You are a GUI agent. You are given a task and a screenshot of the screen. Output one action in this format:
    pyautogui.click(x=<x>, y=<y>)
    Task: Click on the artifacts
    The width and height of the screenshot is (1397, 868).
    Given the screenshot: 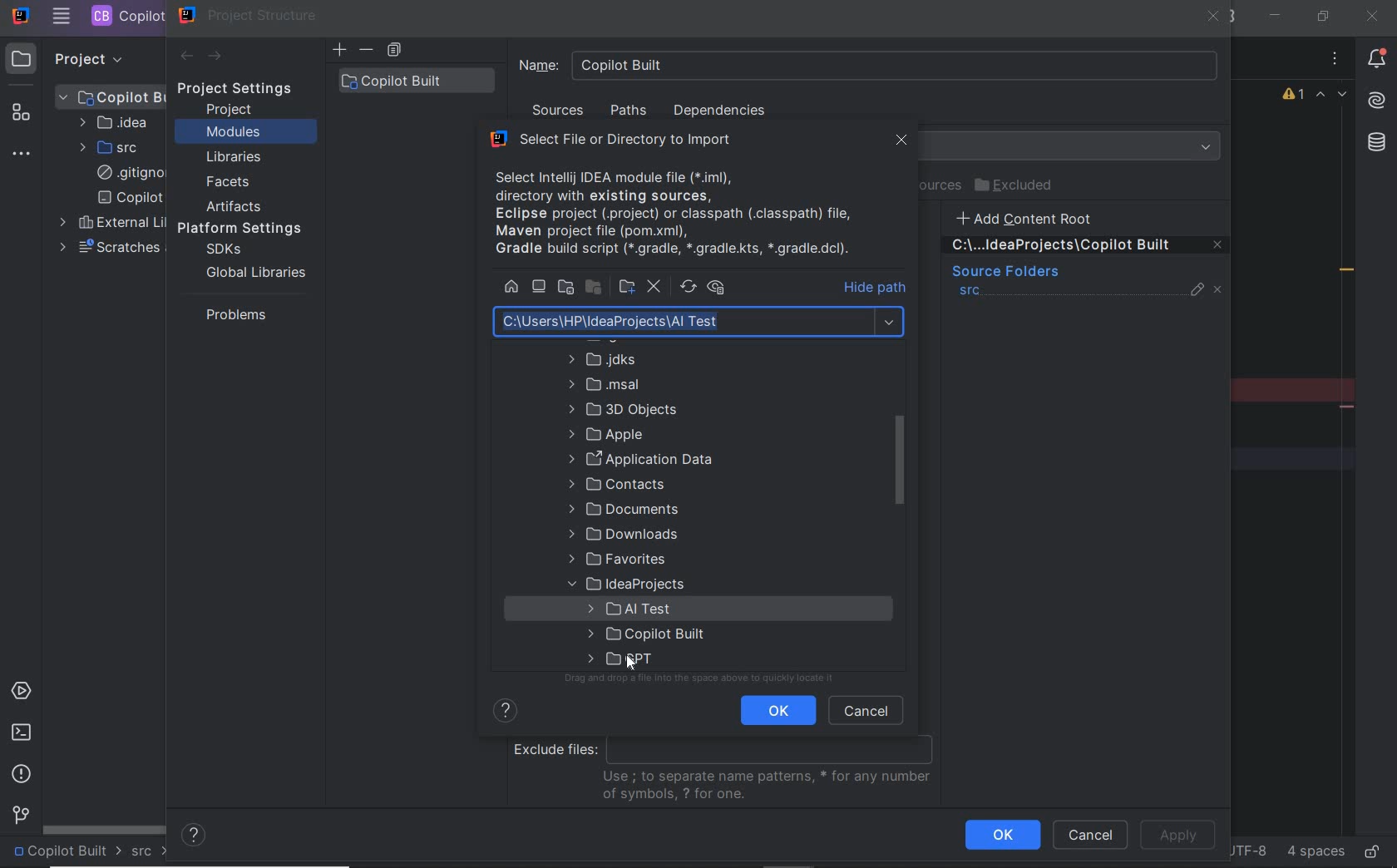 What is the action you would take?
    pyautogui.click(x=238, y=206)
    